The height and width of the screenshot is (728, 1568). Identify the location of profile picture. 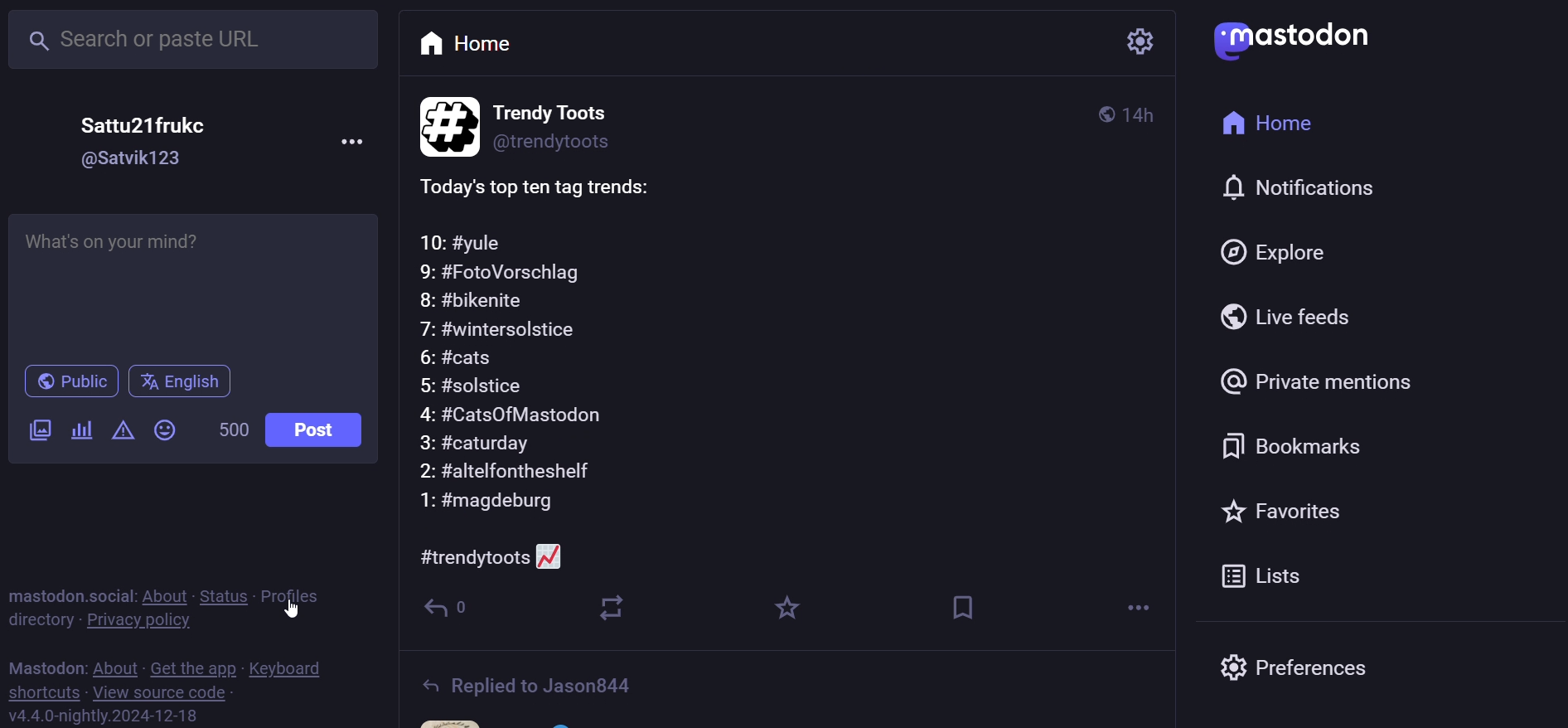
(451, 128).